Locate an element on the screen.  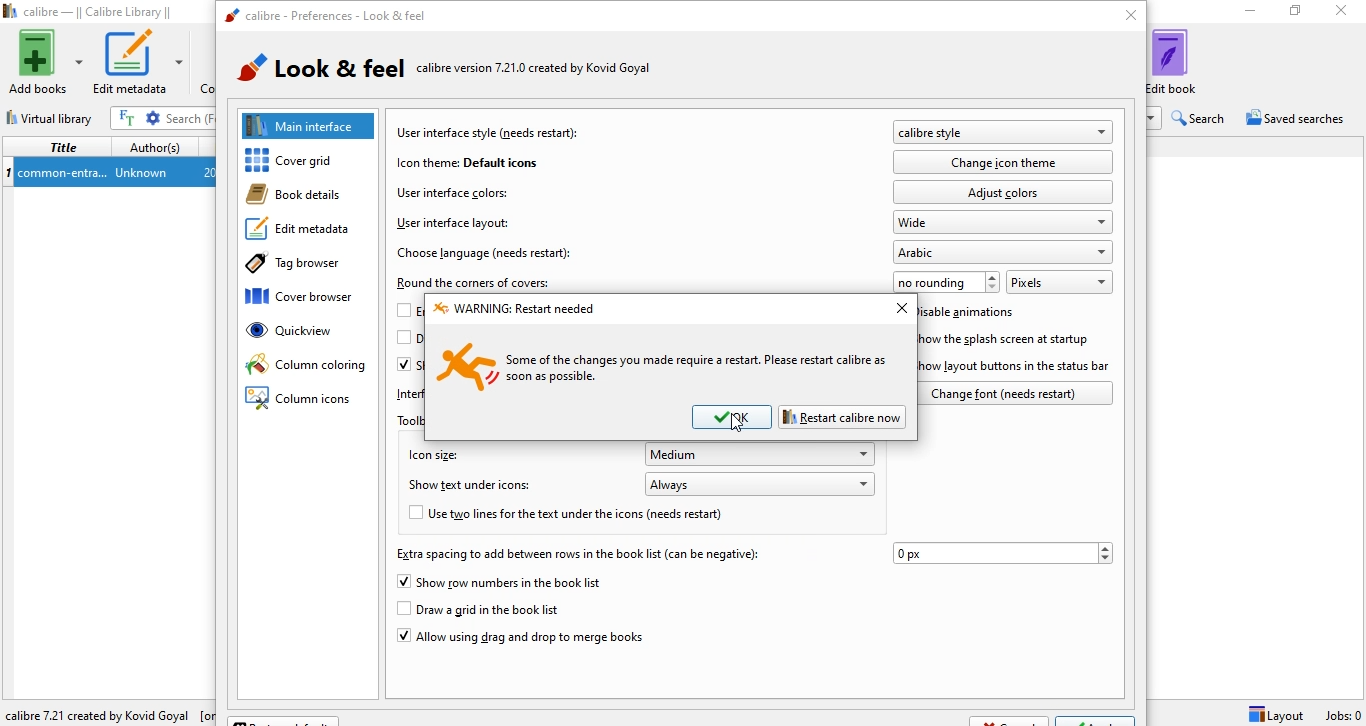
book details is located at coordinates (303, 195).